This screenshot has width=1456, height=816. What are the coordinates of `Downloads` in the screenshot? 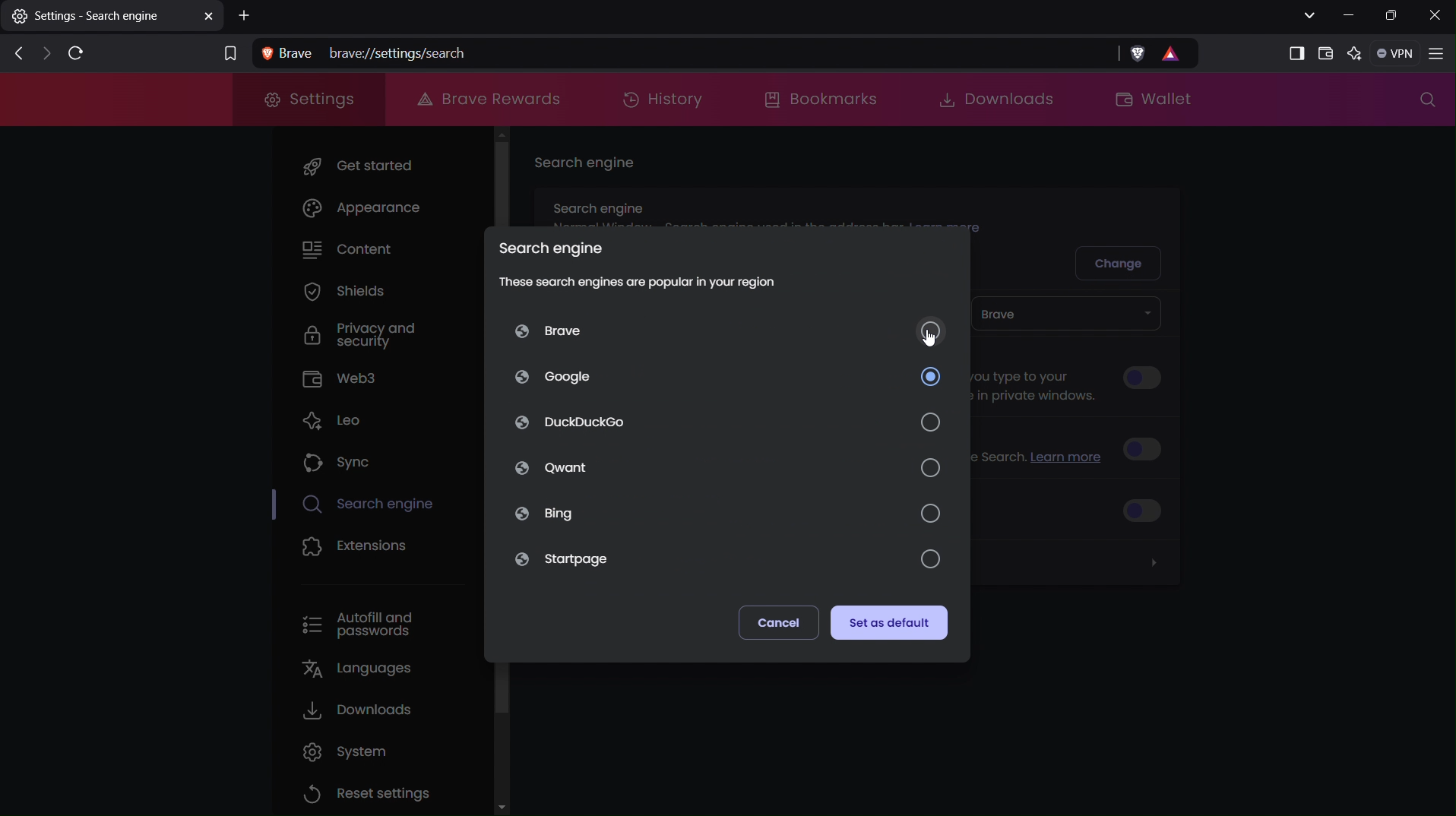 It's located at (359, 710).